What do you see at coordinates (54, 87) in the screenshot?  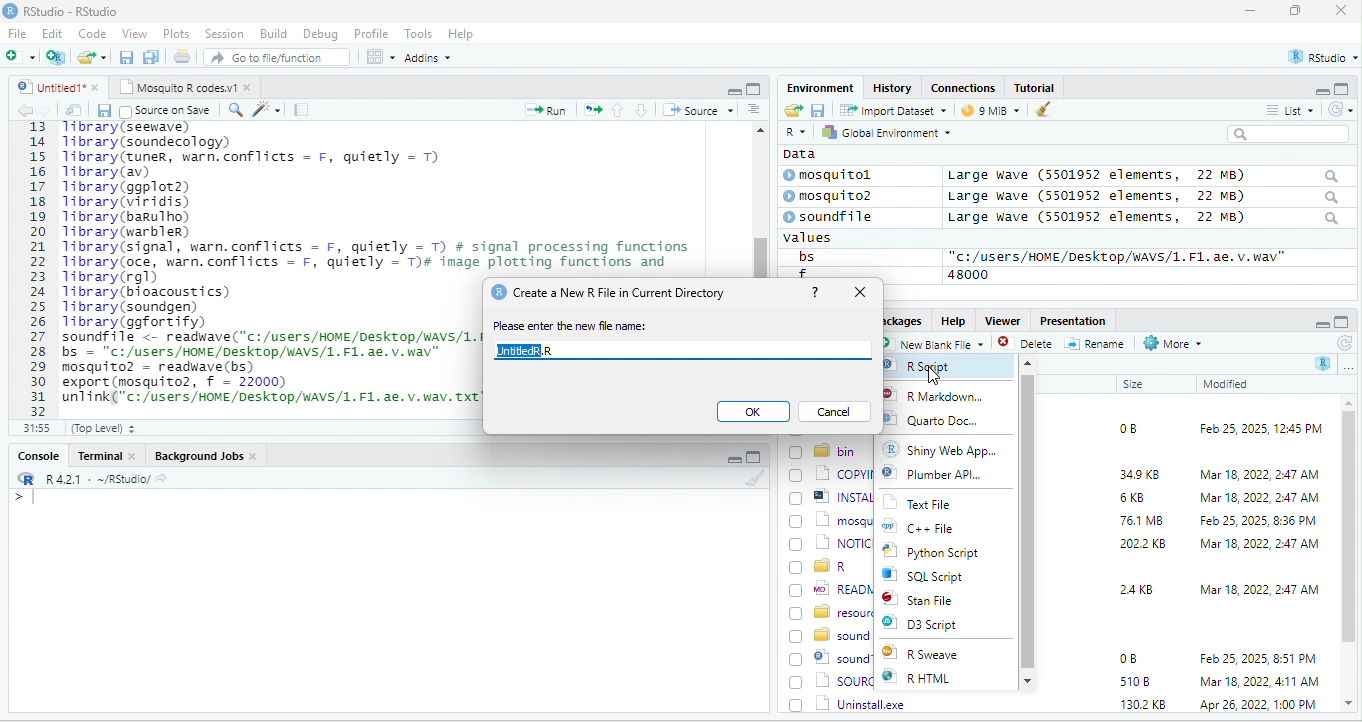 I see `© Untitied1* »` at bounding box center [54, 87].